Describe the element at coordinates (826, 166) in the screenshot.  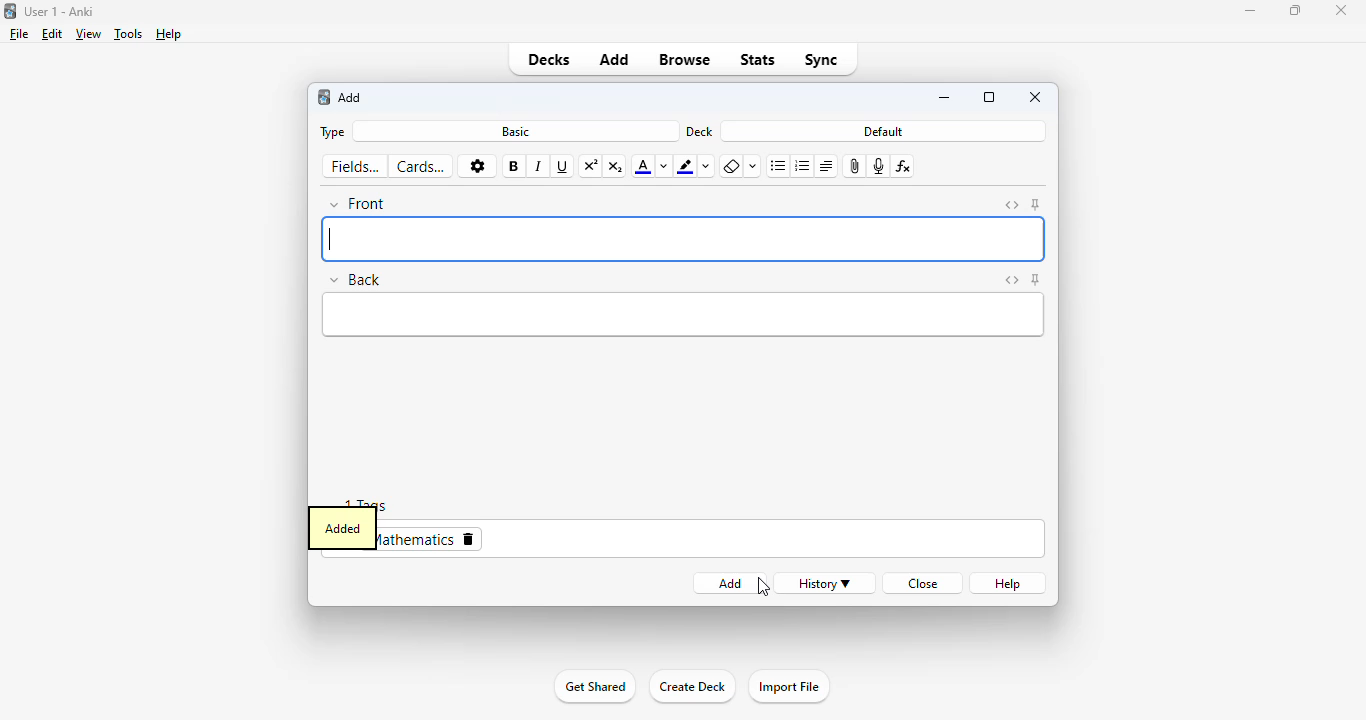
I see `alignment` at that location.